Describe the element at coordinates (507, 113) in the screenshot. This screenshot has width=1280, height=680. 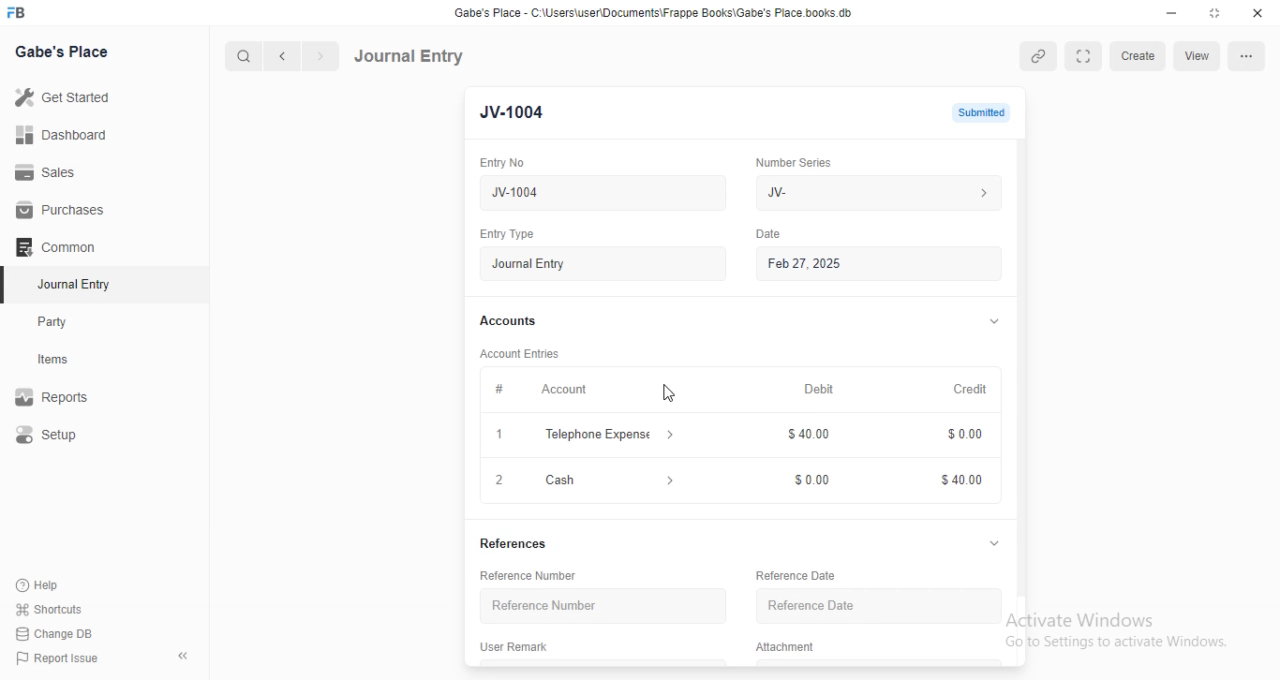
I see `New entry` at that location.